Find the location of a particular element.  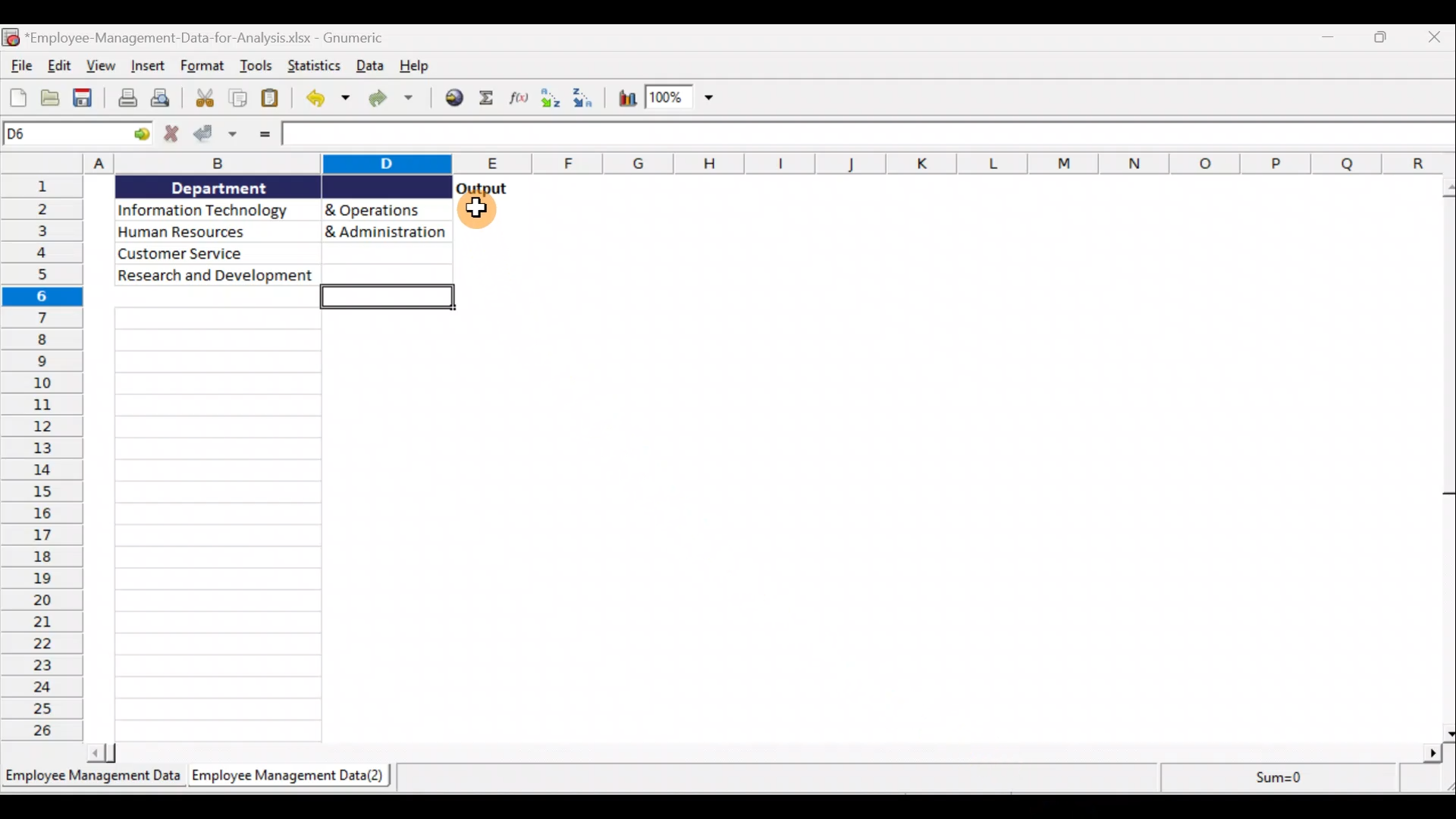

Statistics is located at coordinates (316, 67).